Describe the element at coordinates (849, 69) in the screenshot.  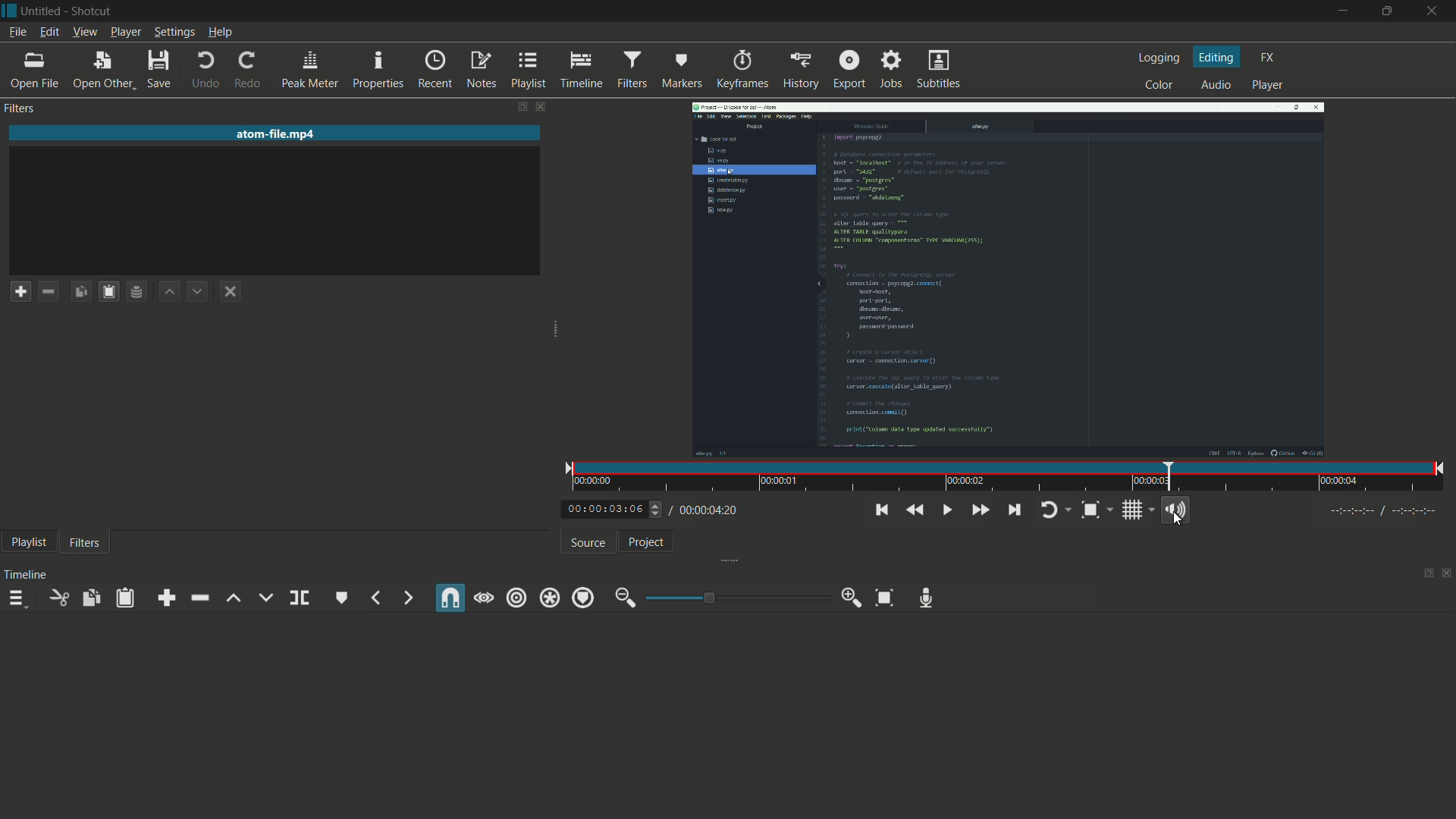
I see `export` at that location.